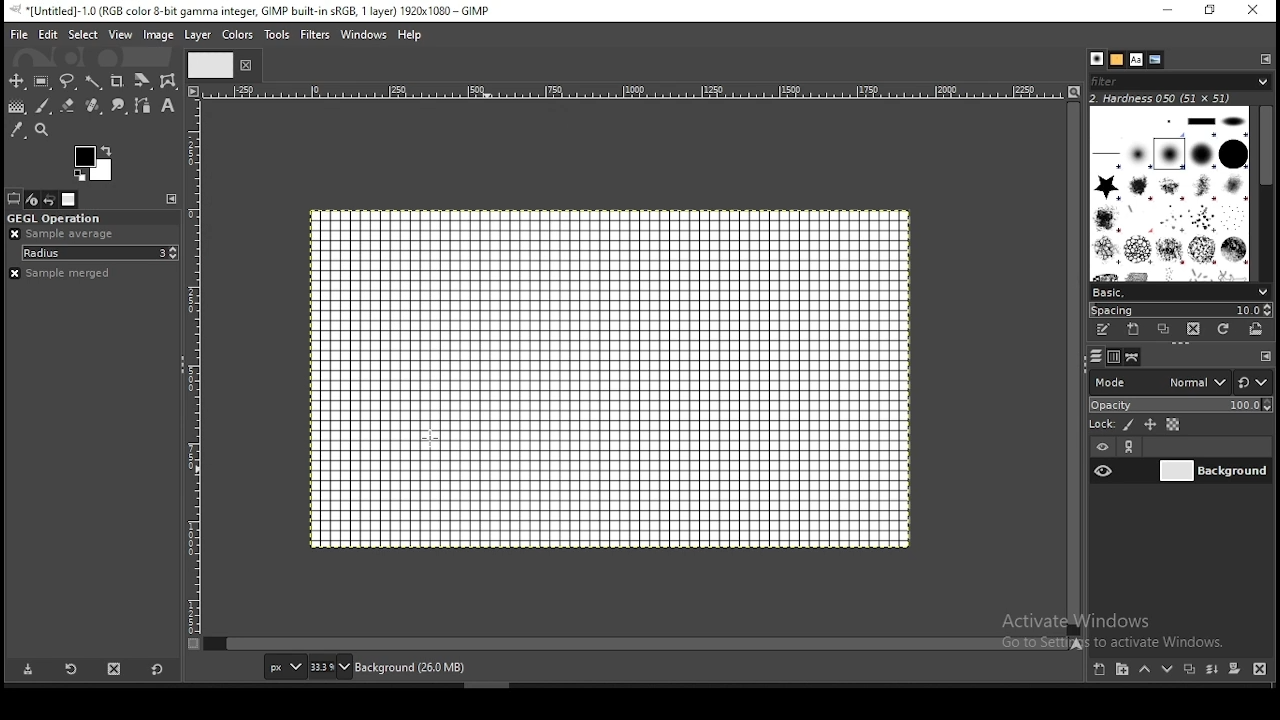 This screenshot has height=720, width=1280. I want to click on layers, so click(1097, 355).